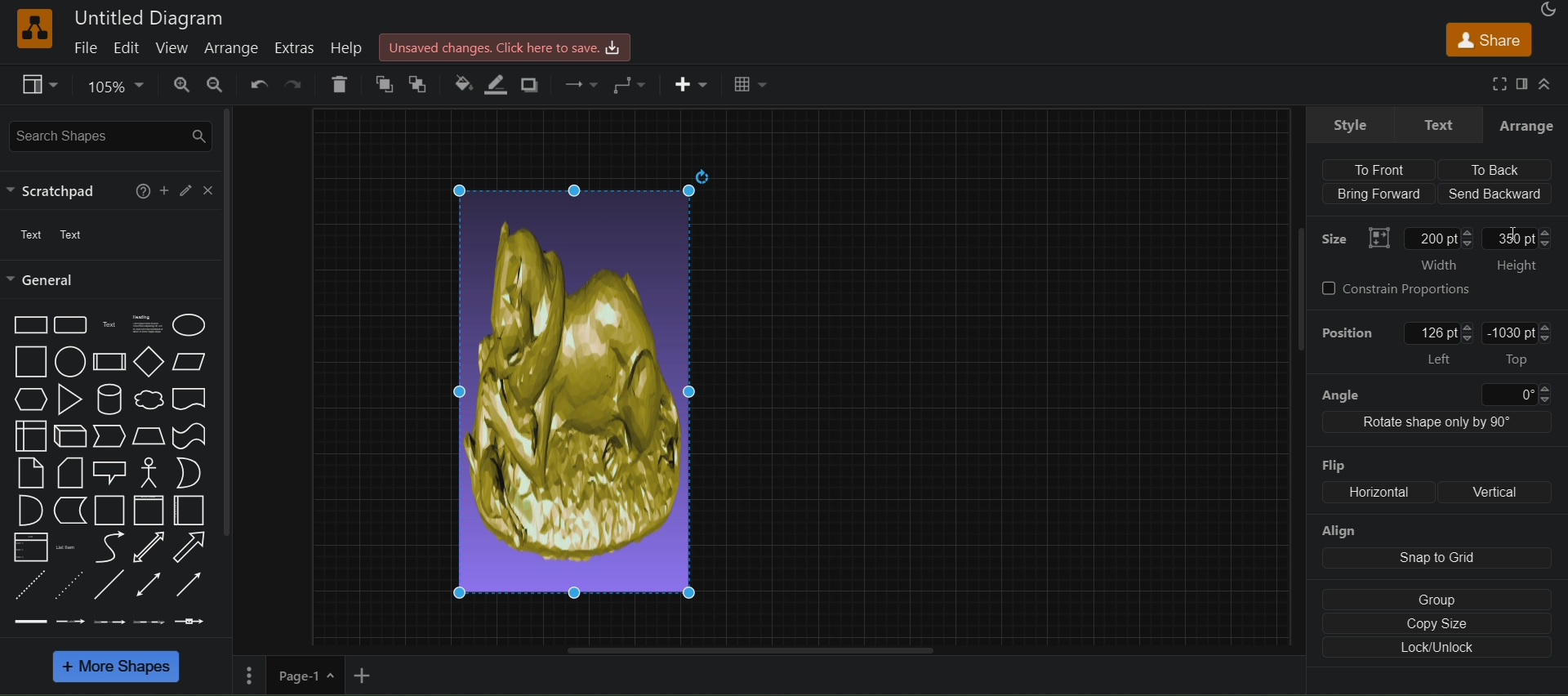 The image size is (1568, 696). I want to click on angle 0 degree, so click(1434, 392).